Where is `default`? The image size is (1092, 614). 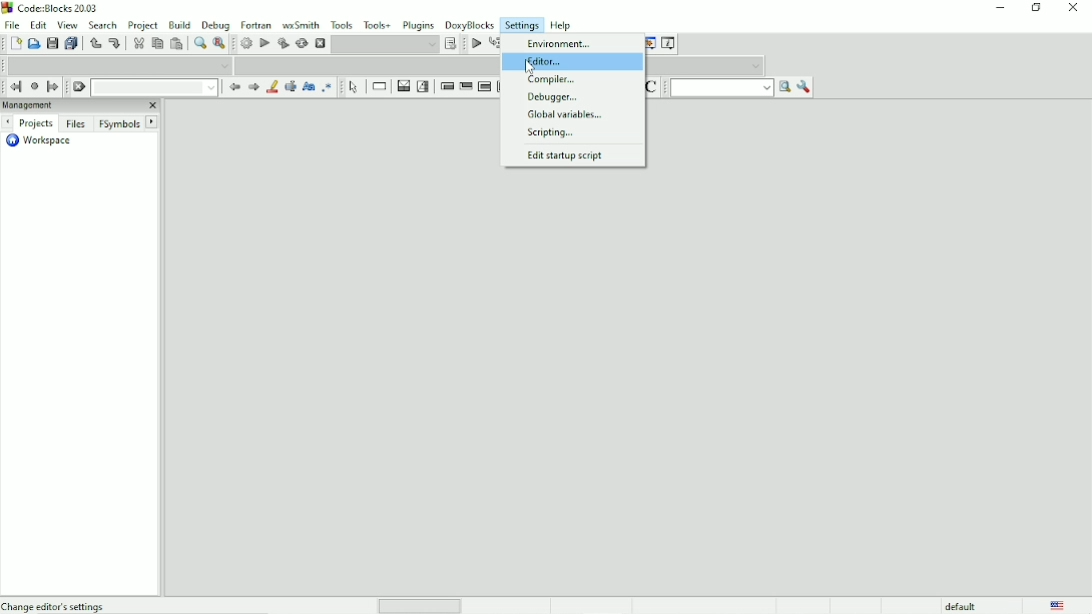 default is located at coordinates (962, 606).